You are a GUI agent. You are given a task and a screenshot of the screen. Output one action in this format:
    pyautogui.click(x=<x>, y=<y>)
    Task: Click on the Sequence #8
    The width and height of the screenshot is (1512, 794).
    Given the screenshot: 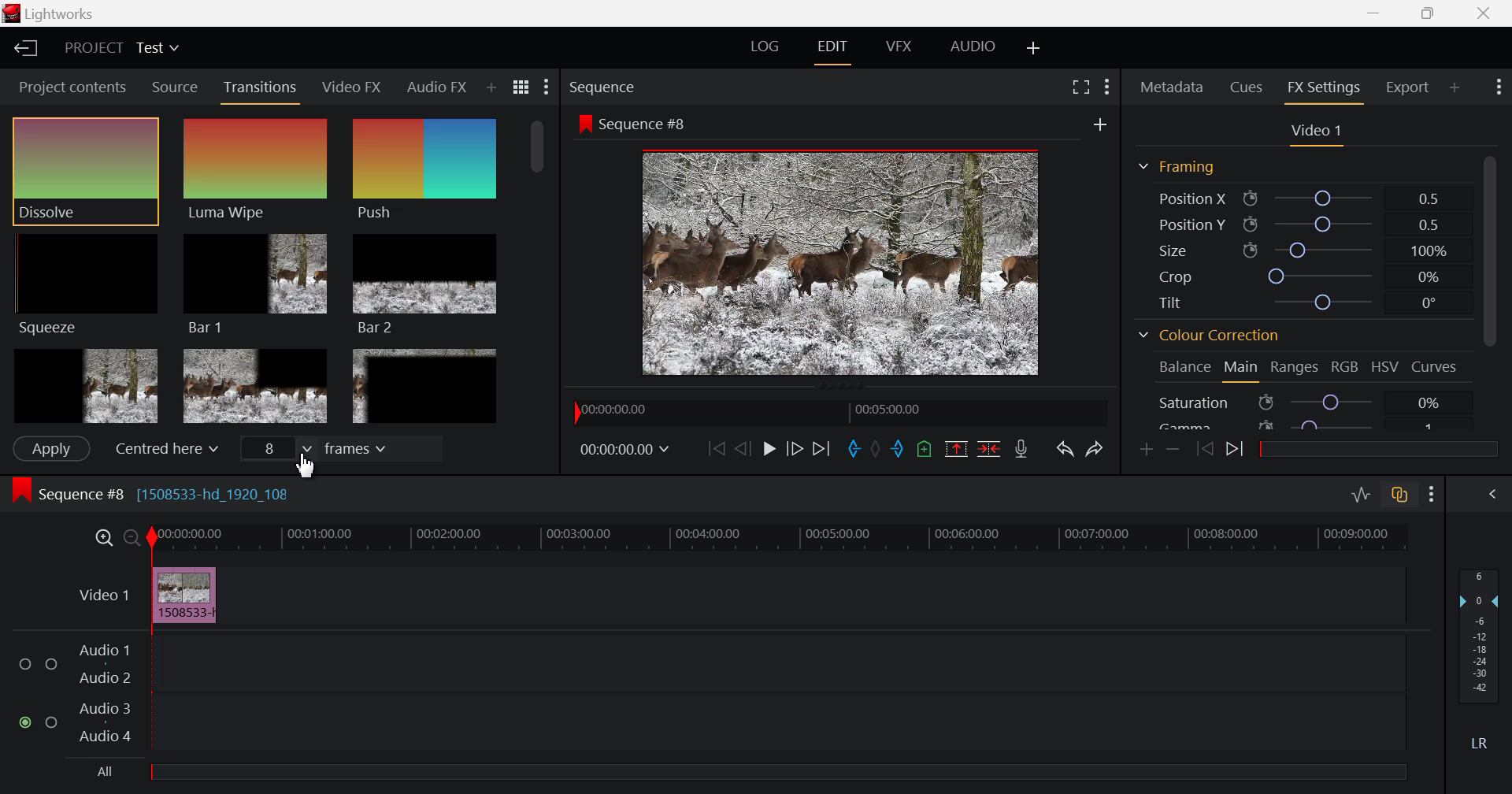 What is the action you would take?
    pyautogui.click(x=649, y=125)
    